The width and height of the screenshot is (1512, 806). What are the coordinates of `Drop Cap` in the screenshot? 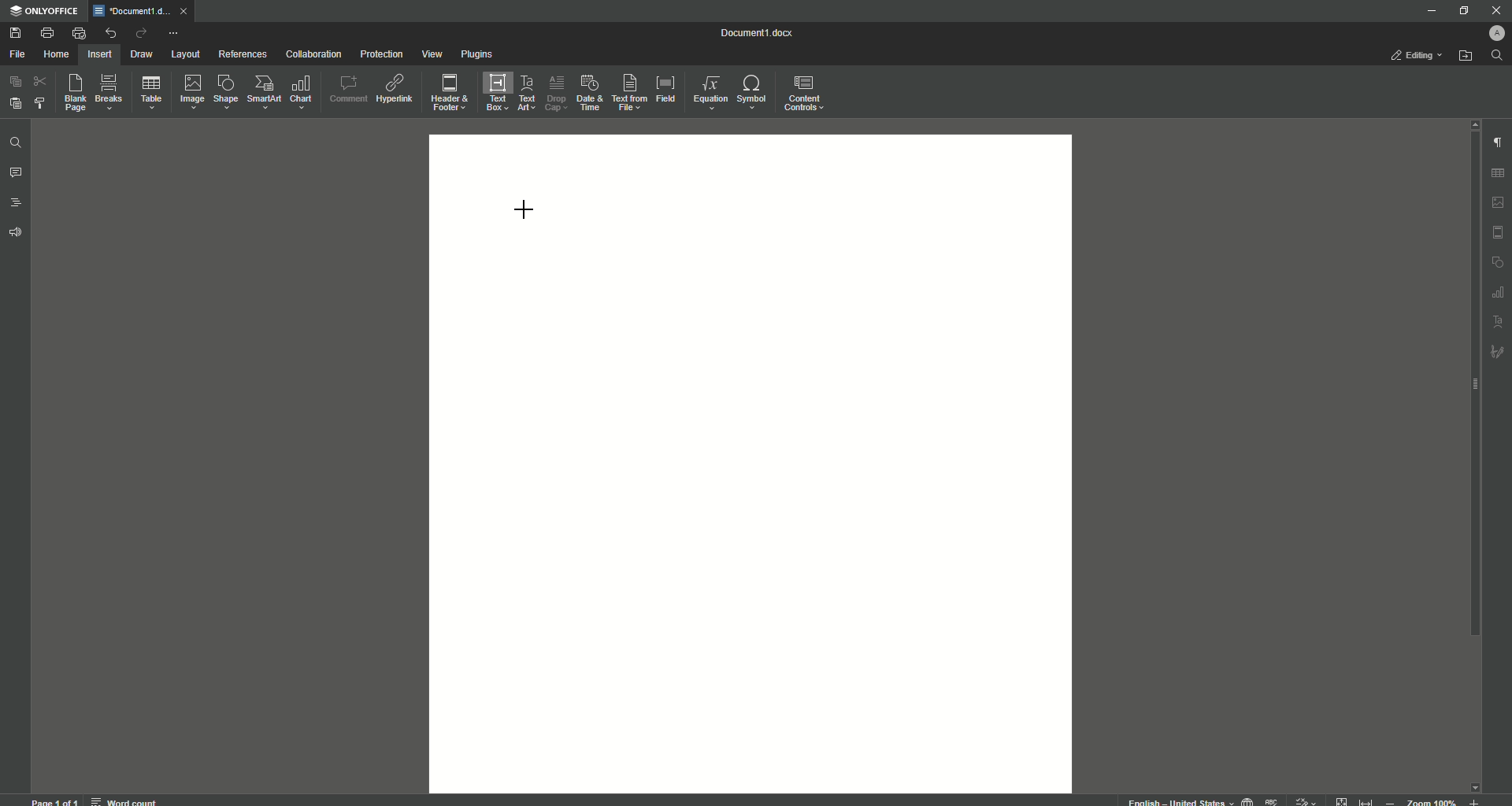 It's located at (554, 90).